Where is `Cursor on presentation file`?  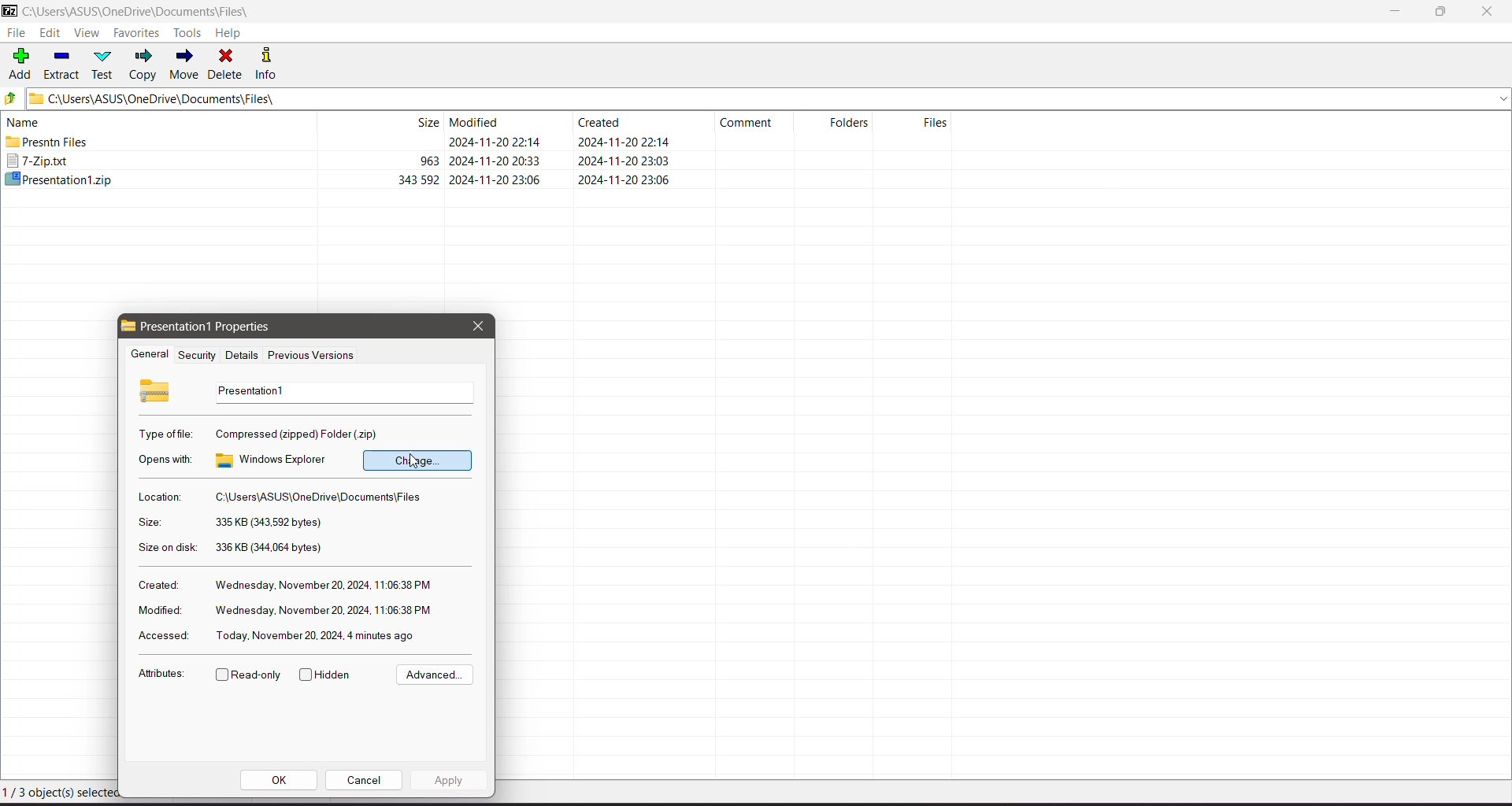 Cursor on presentation file is located at coordinates (342, 179).